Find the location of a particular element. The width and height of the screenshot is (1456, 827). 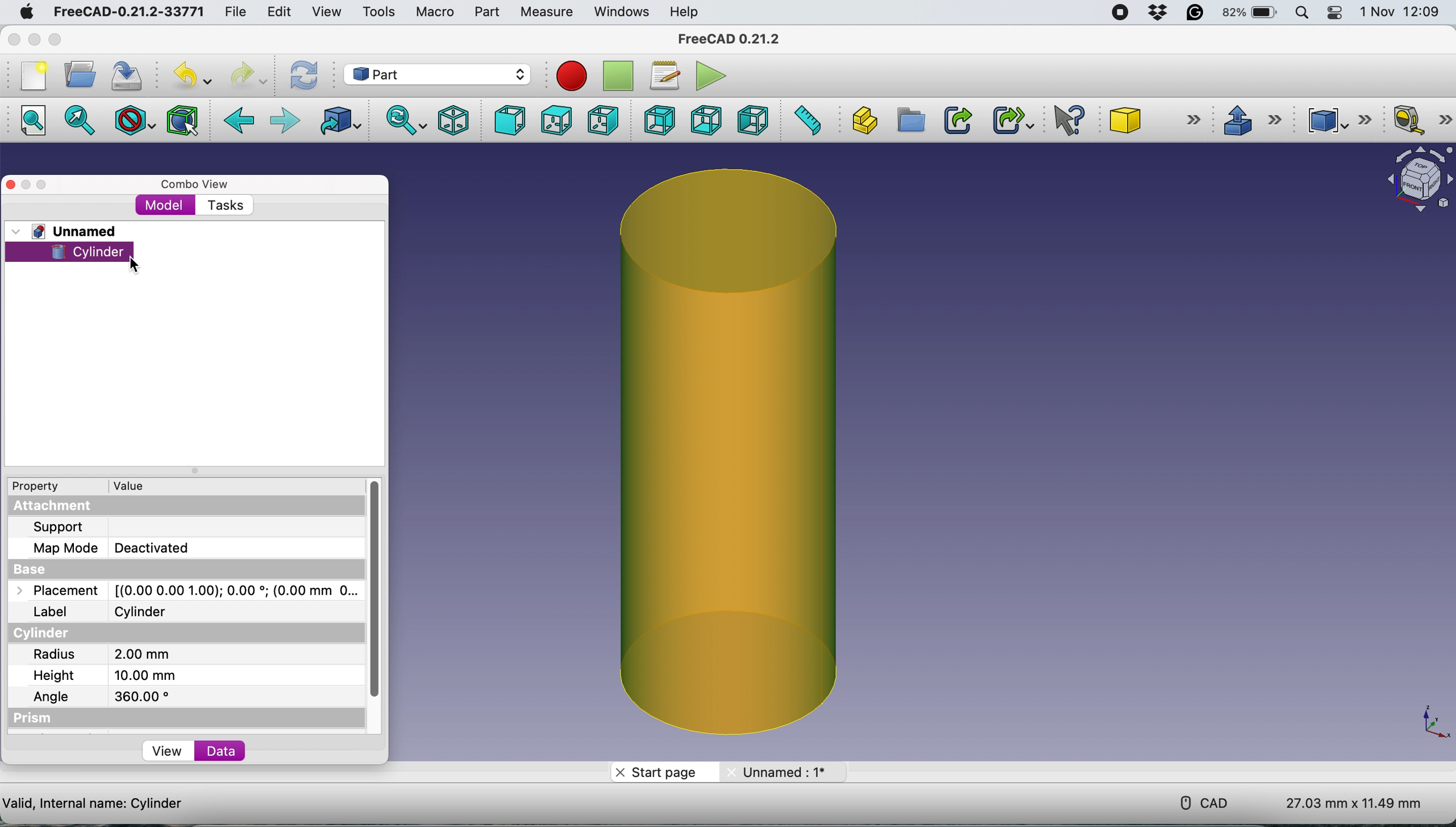

dimensions is located at coordinates (1347, 803).